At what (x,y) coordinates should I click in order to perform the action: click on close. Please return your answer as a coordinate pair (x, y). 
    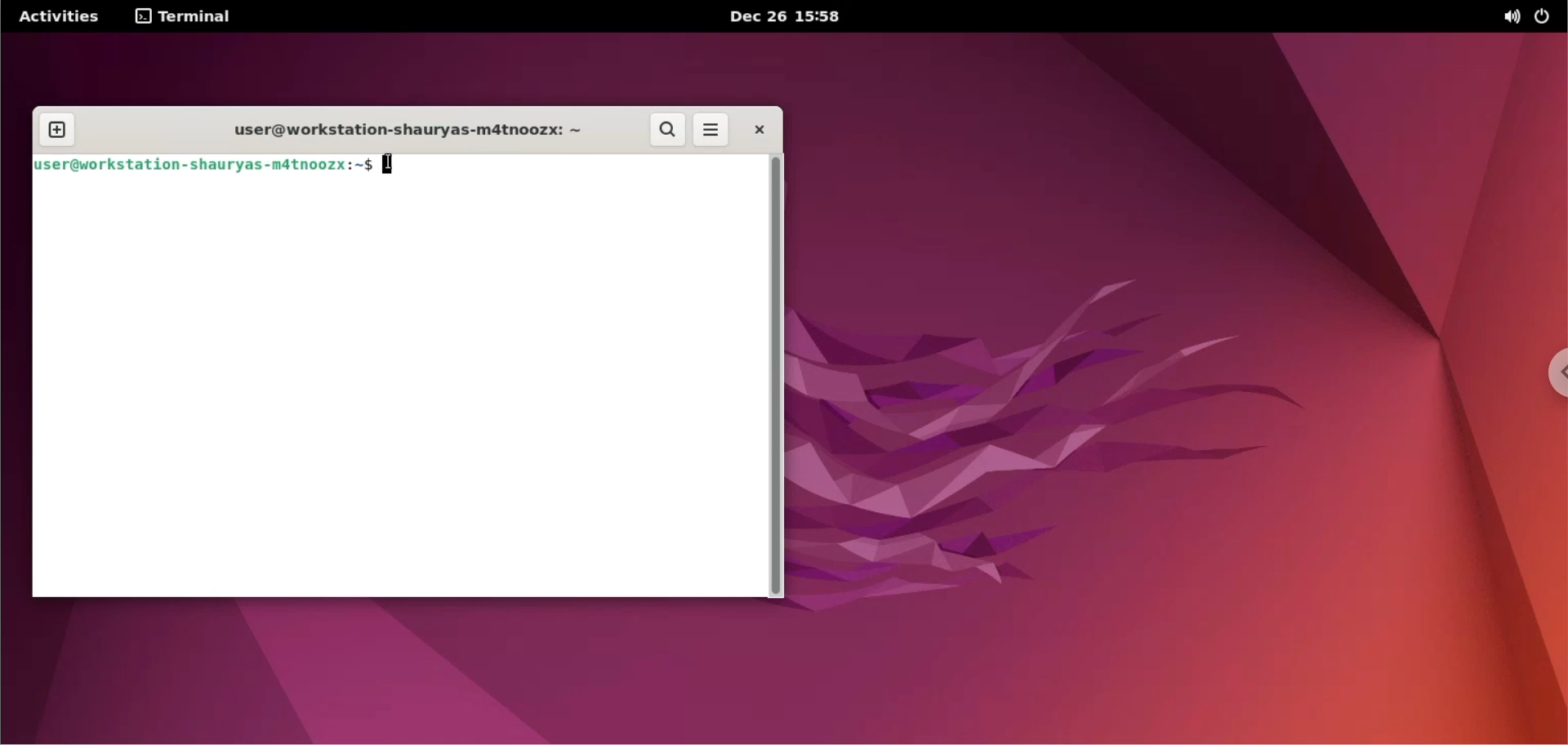
    Looking at the image, I should click on (757, 131).